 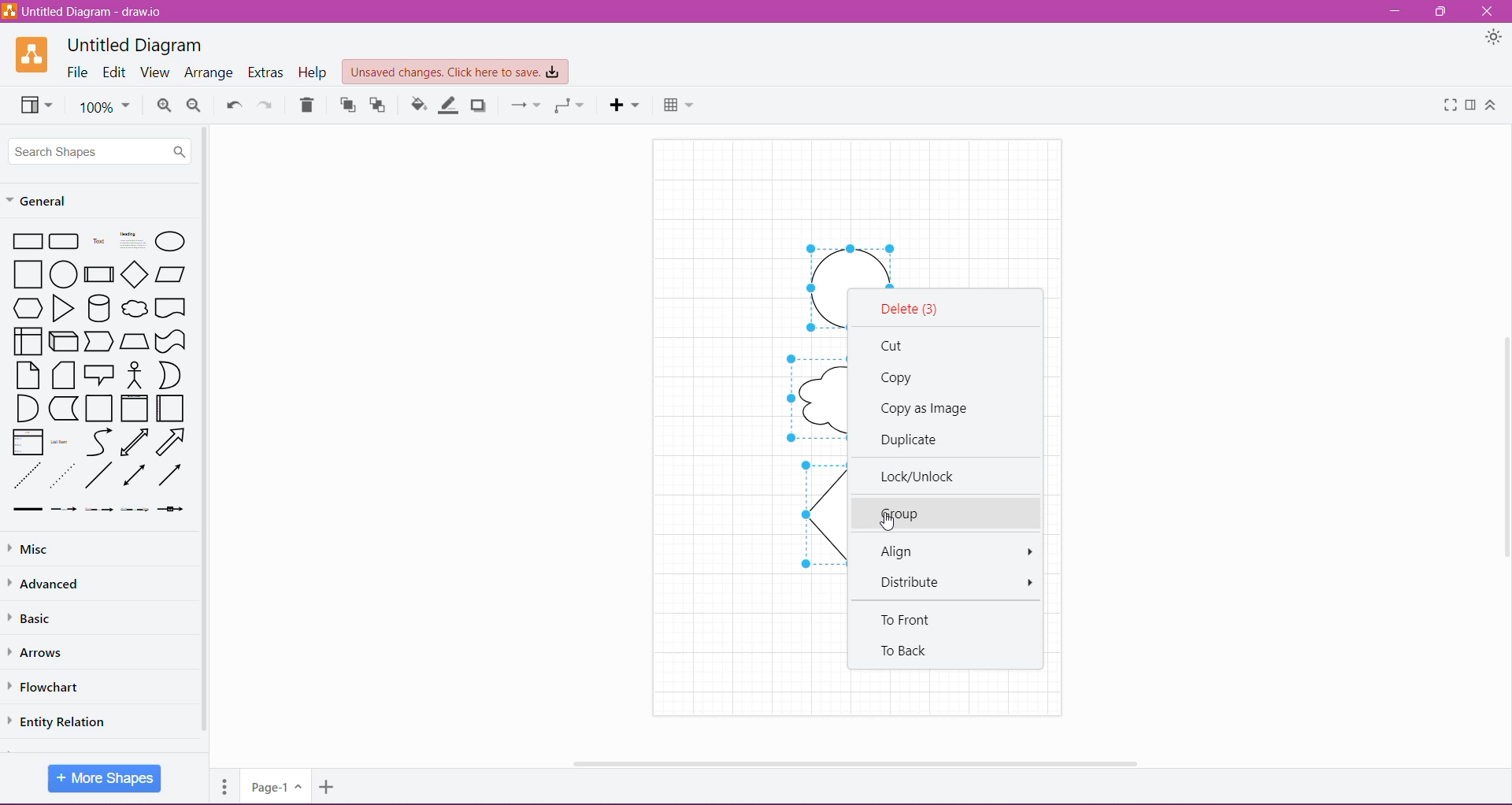 What do you see at coordinates (100, 373) in the screenshot?
I see `Available shapes in General` at bounding box center [100, 373].